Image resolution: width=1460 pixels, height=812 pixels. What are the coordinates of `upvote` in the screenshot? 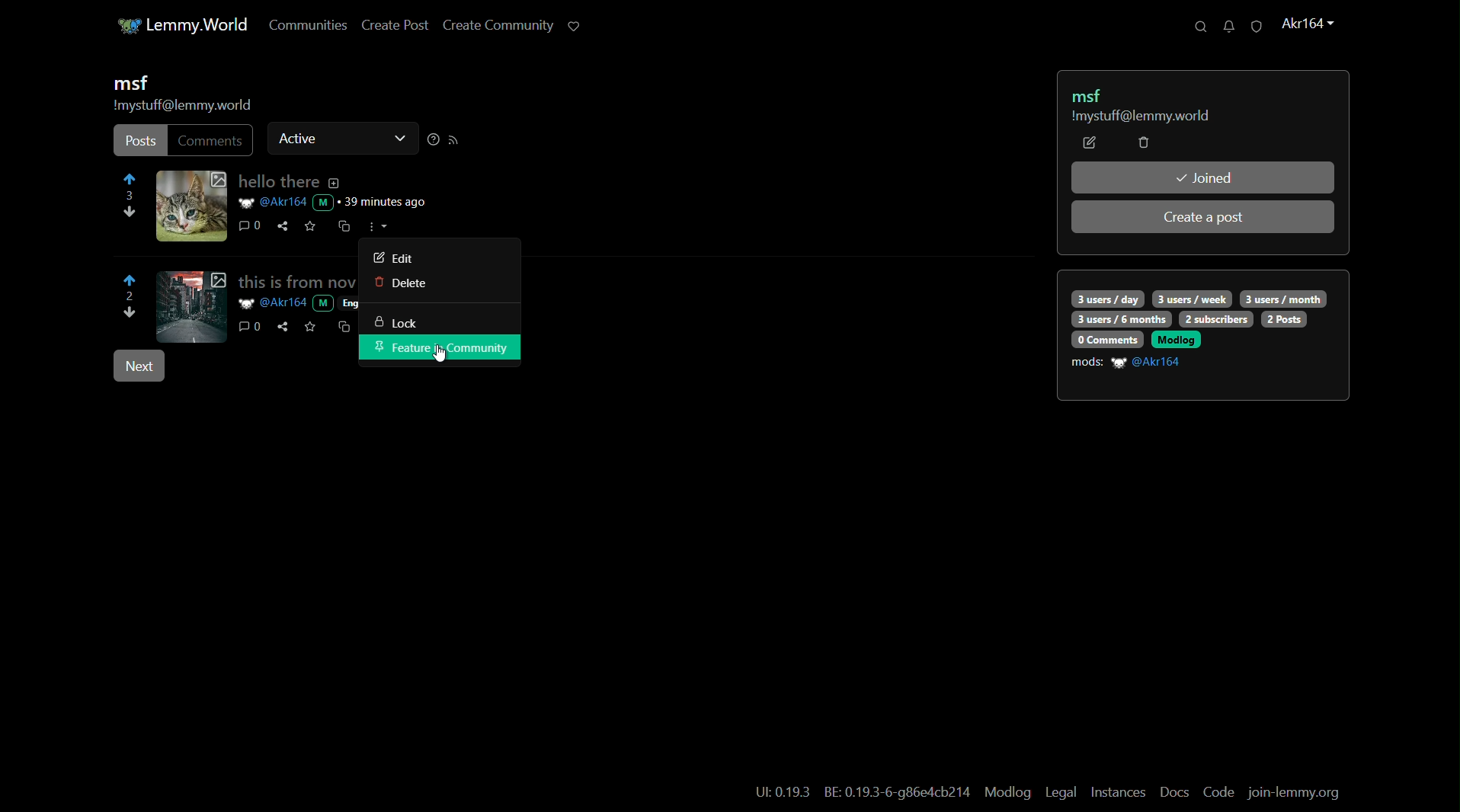 It's located at (131, 280).